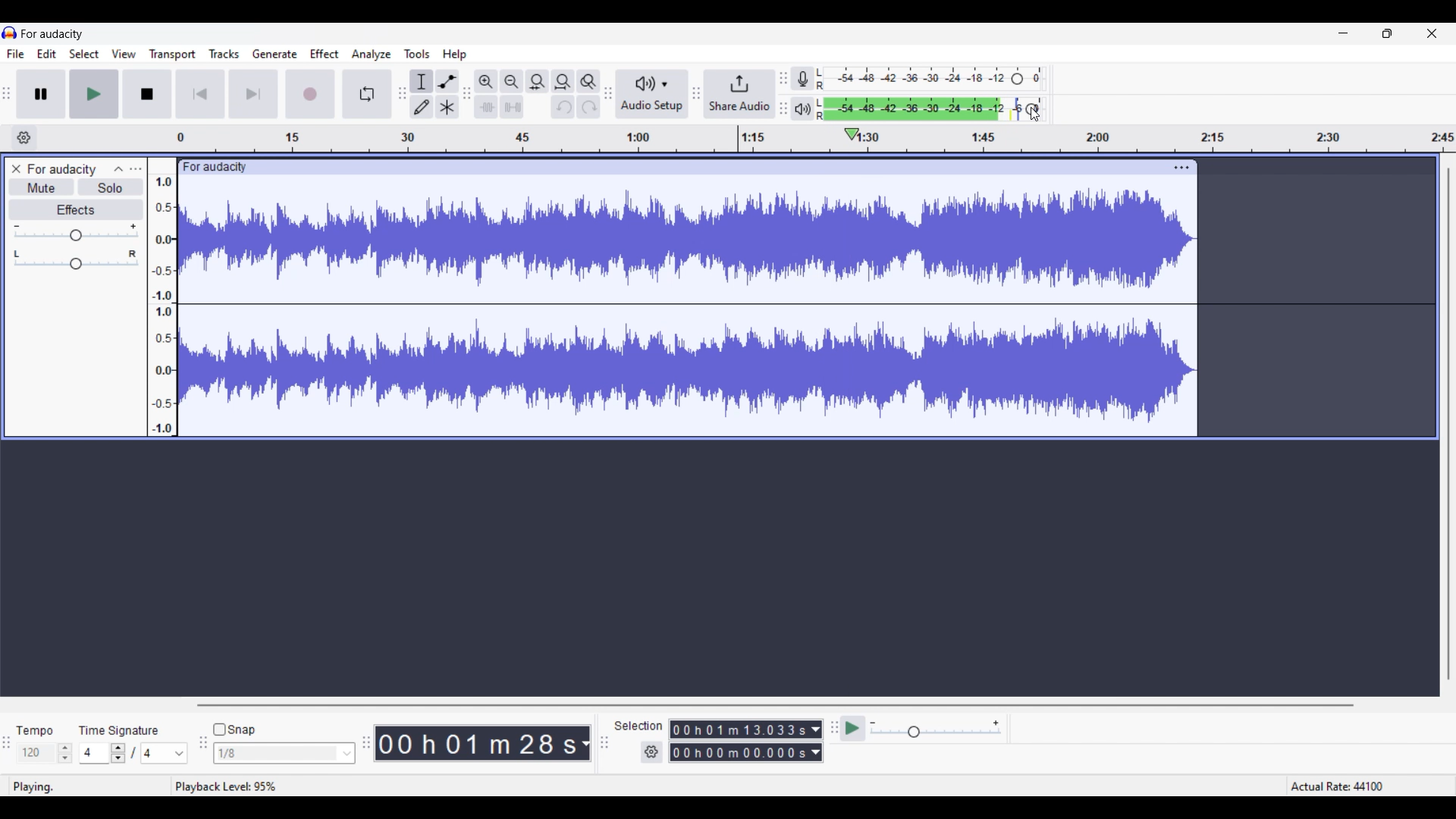 The image size is (1456, 819). What do you see at coordinates (485, 82) in the screenshot?
I see `Zoom in` at bounding box center [485, 82].